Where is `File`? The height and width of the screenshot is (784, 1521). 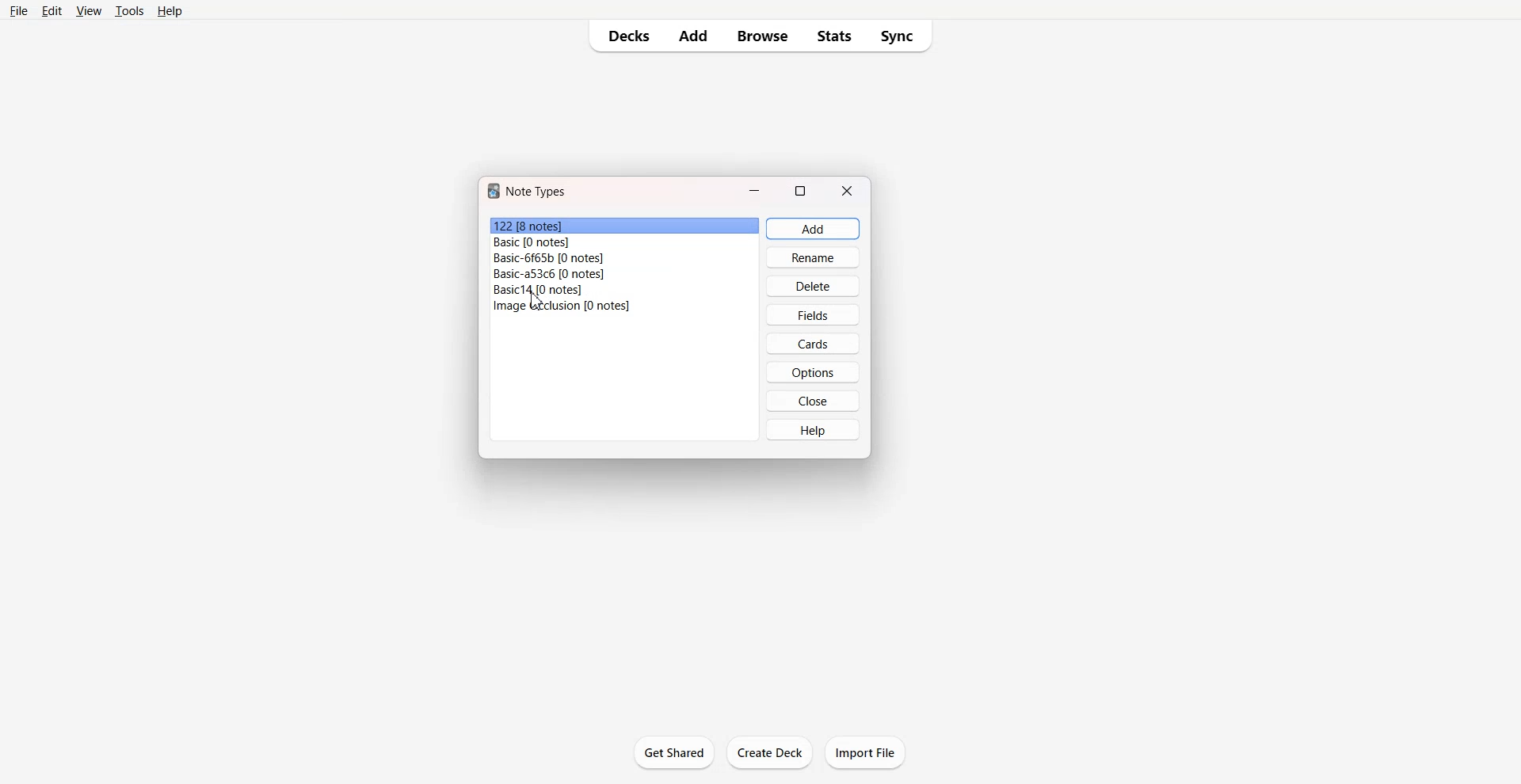 File is located at coordinates (623, 306).